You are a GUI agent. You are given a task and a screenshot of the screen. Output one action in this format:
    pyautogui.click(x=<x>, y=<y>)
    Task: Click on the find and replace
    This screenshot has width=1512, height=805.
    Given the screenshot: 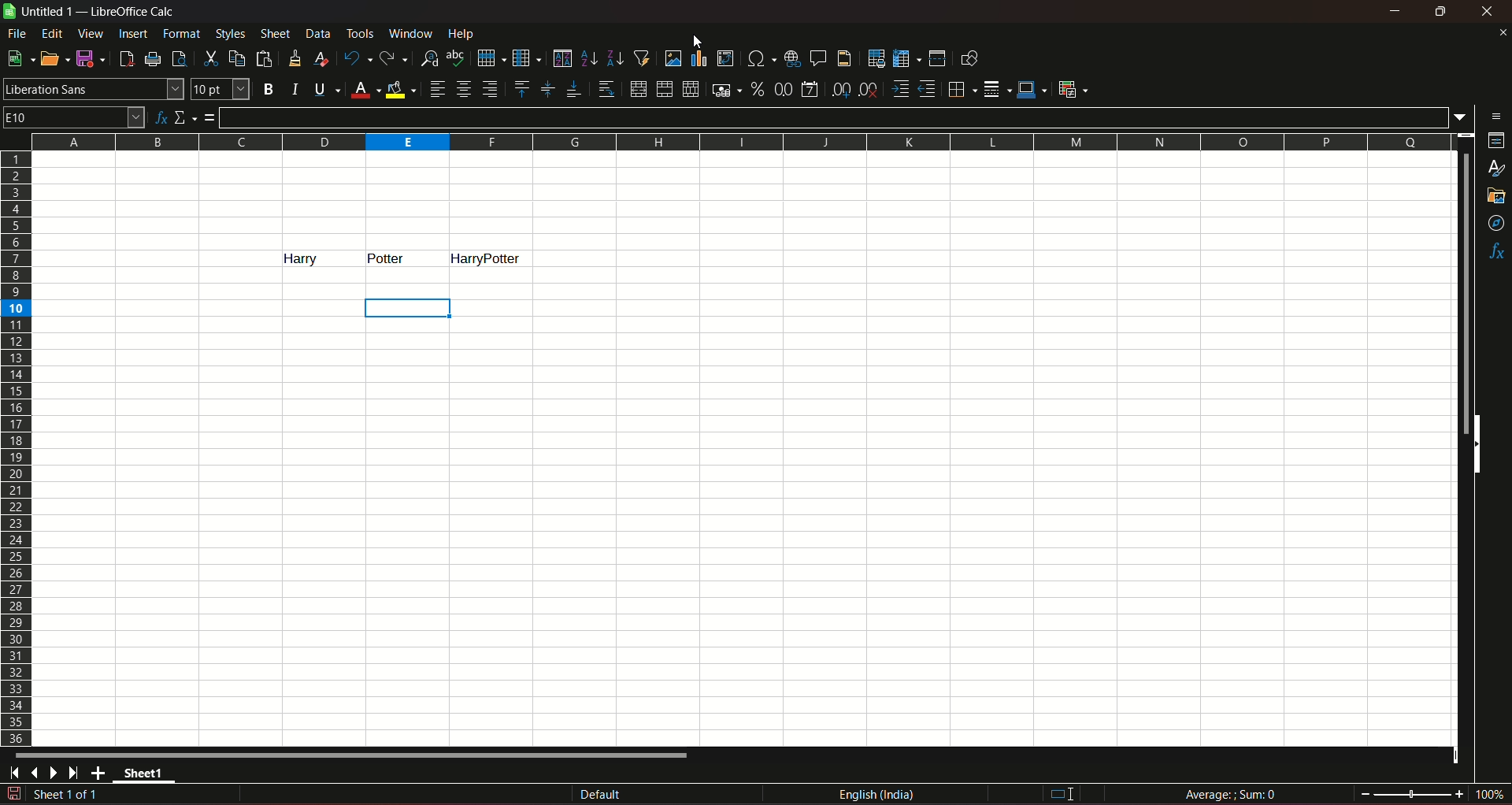 What is the action you would take?
    pyautogui.click(x=428, y=57)
    